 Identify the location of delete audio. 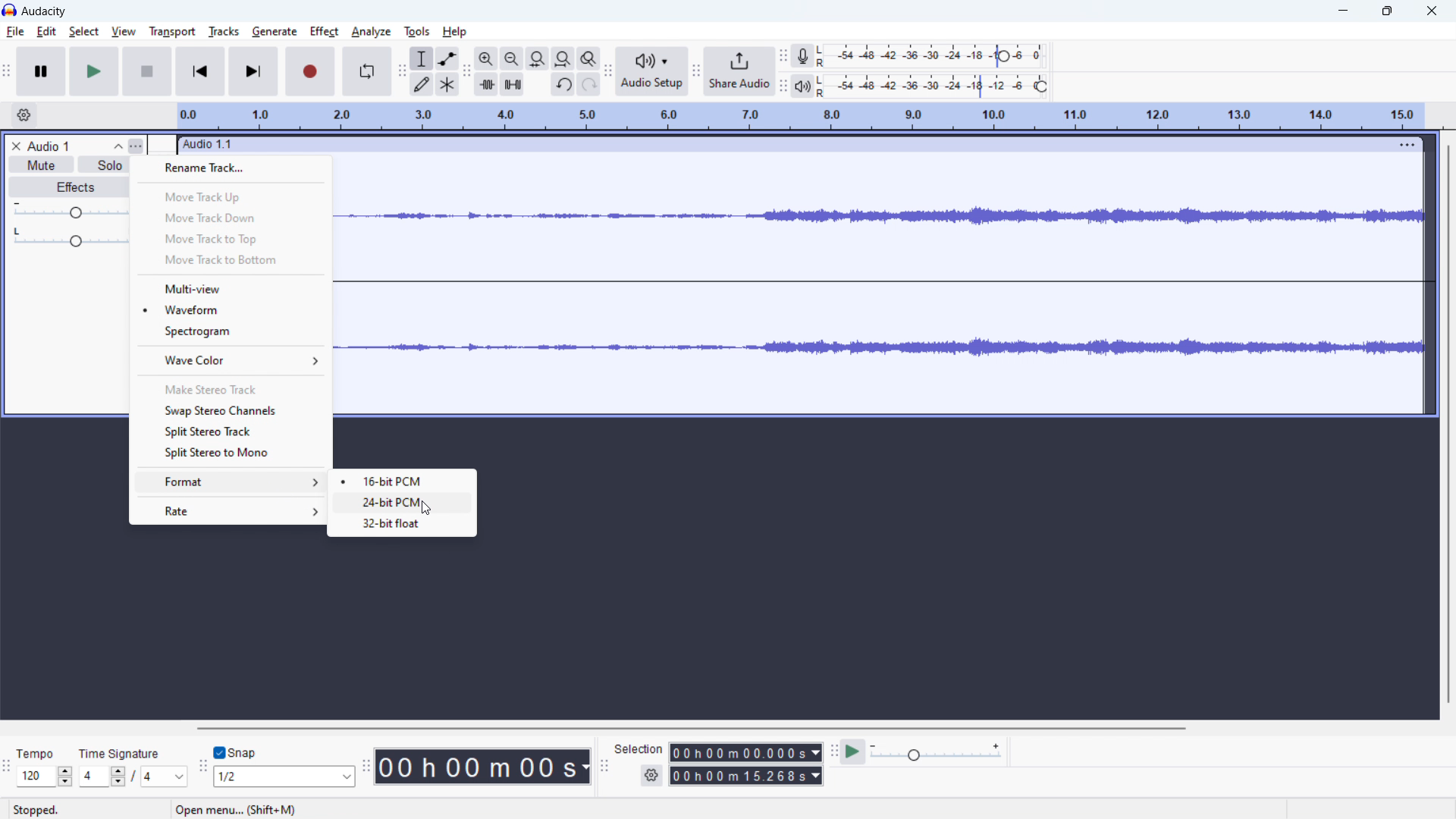
(15, 146).